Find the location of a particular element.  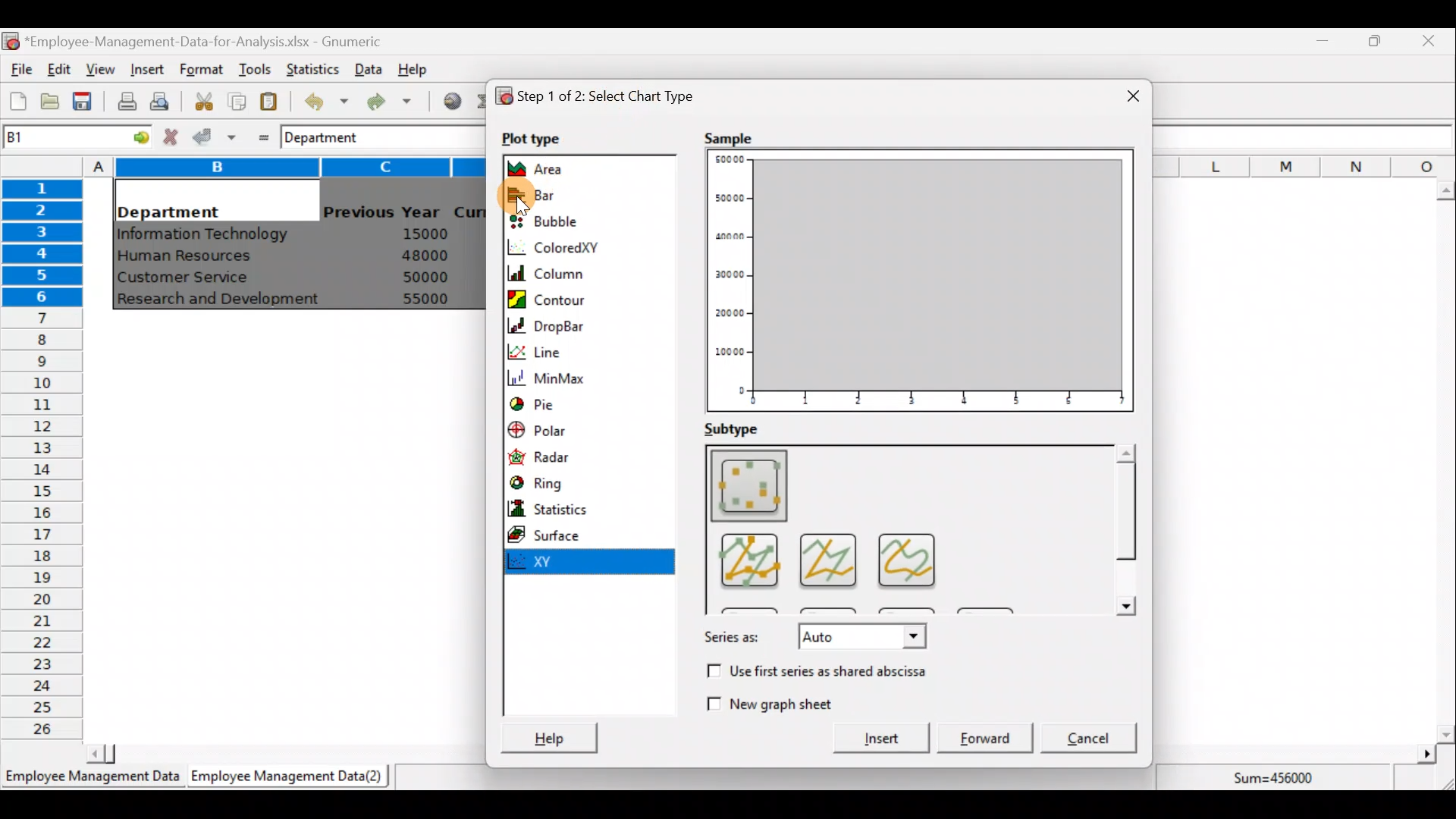

Radar is located at coordinates (570, 455).